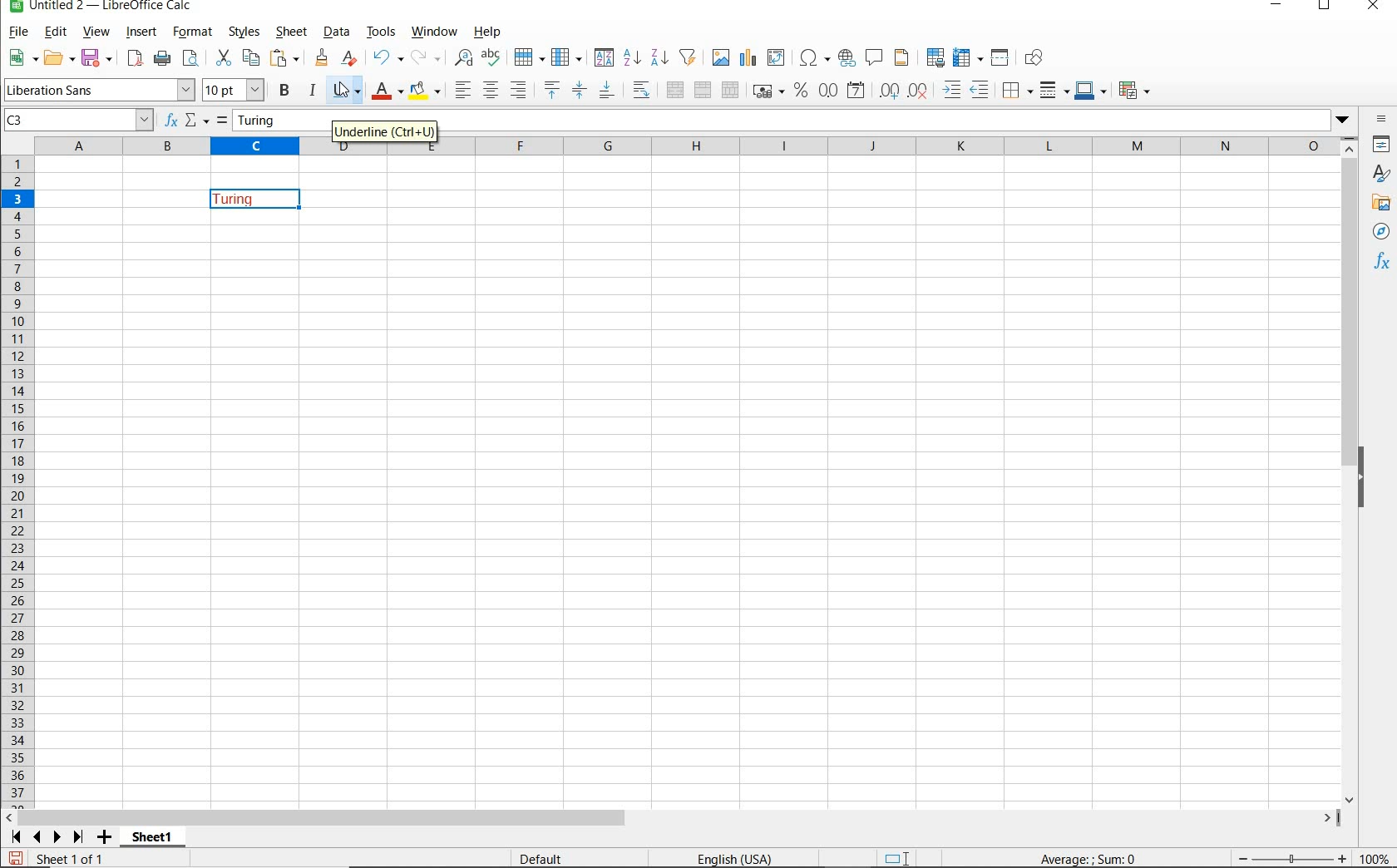 Image resolution: width=1397 pixels, height=868 pixels. What do you see at coordinates (529, 57) in the screenshot?
I see `ROW` at bounding box center [529, 57].